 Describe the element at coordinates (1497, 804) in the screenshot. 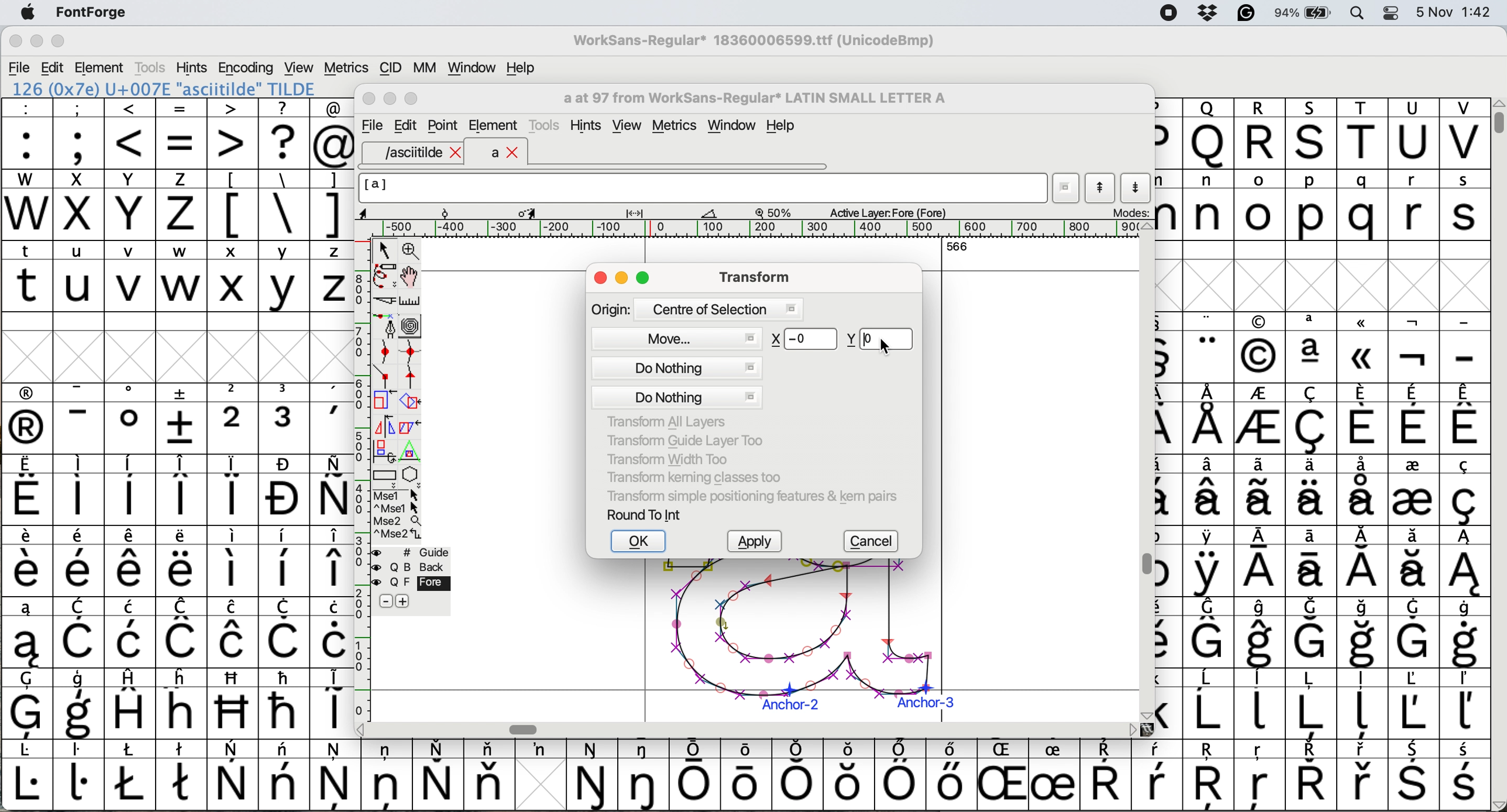

I see `scroll button` at that location.